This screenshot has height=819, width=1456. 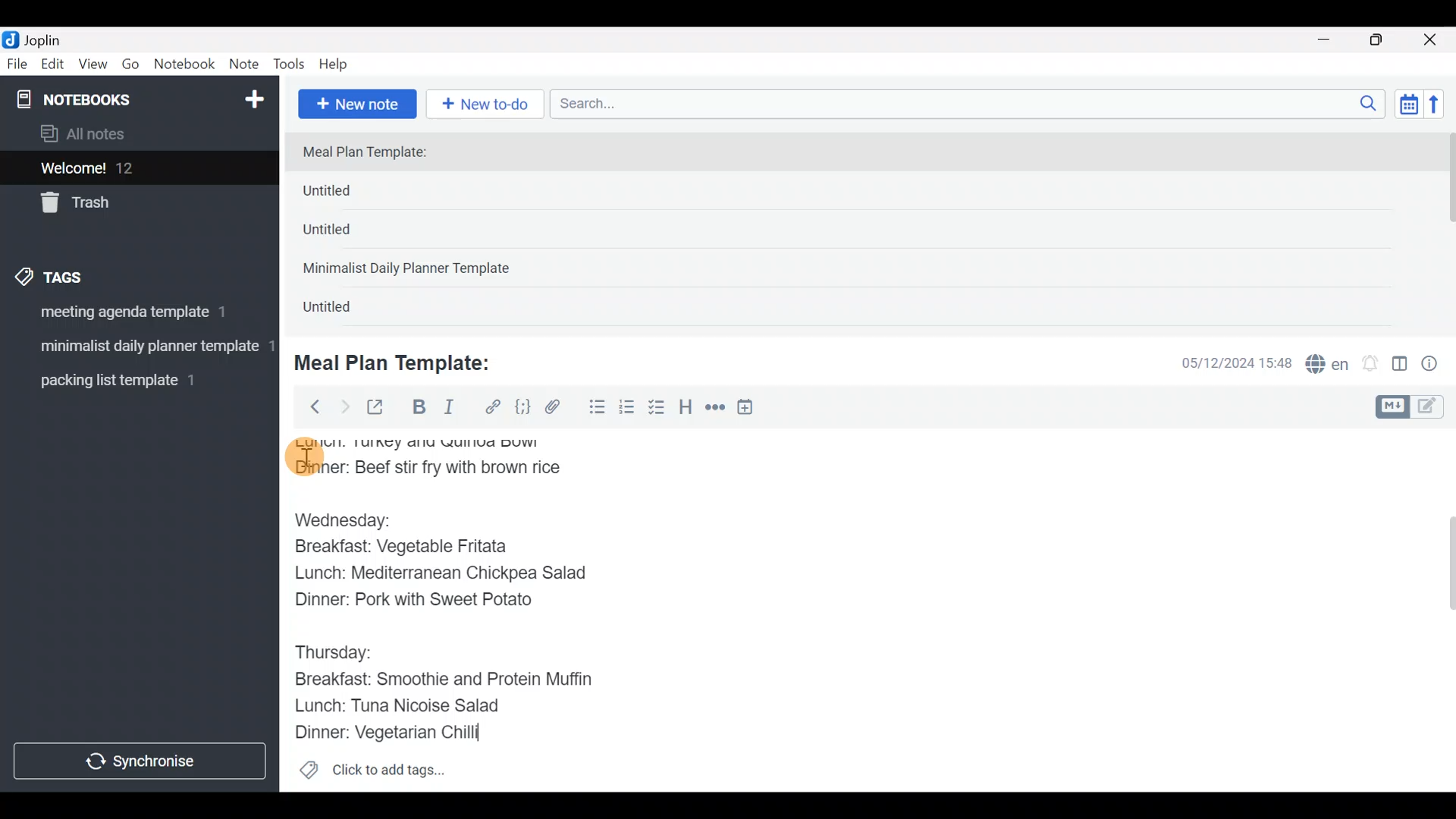 What do you see at coordinates (347, 234) in the screenshot?
I see `Untitled` at bounding box center [347, 234].